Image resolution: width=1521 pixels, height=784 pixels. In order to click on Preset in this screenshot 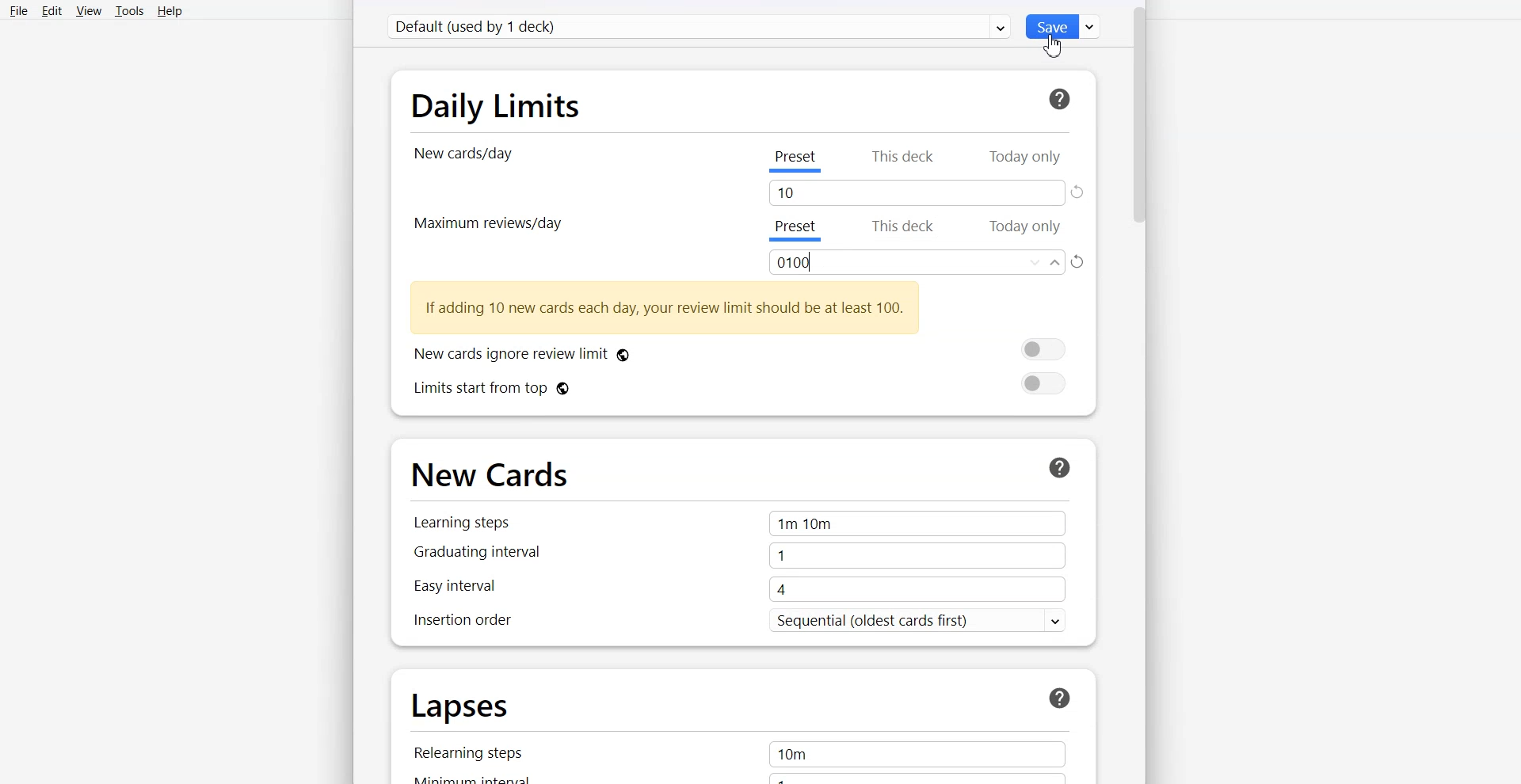, I will do `click(795, 162)`.